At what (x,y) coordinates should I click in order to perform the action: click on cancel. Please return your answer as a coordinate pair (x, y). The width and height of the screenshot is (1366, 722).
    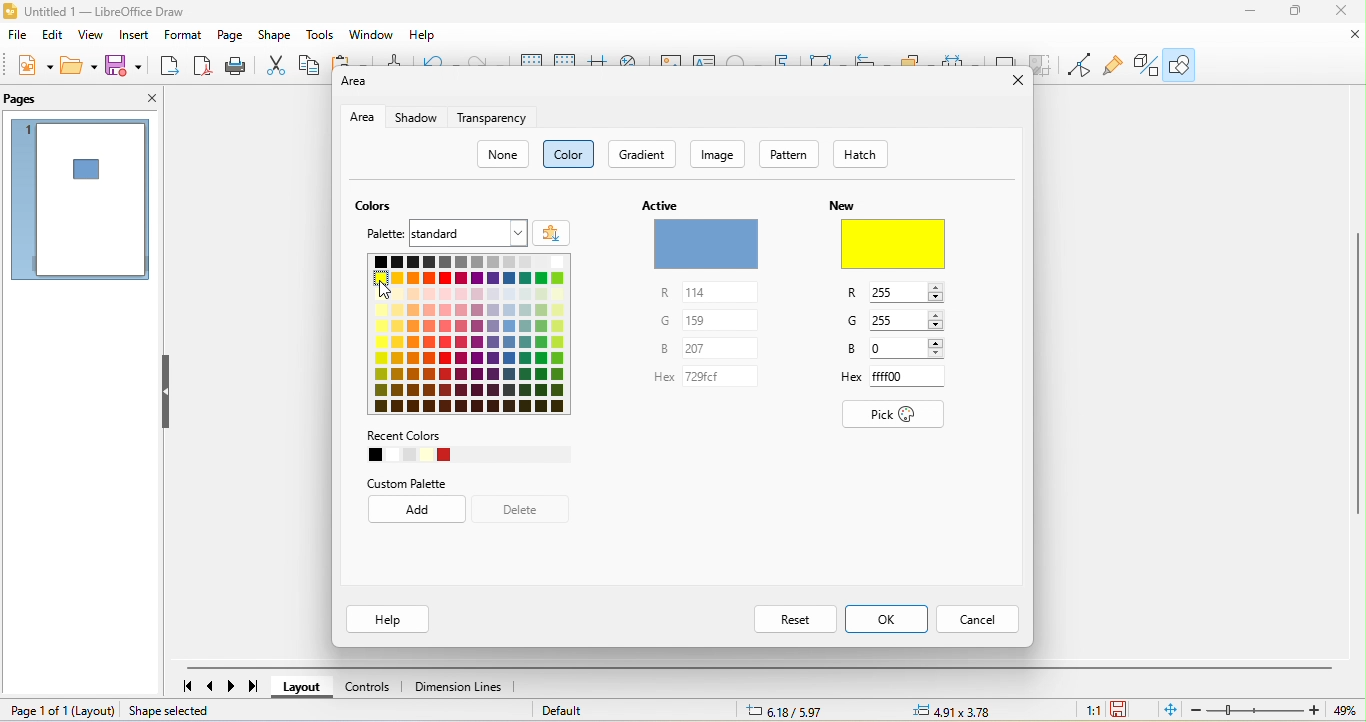
    Looking at the image, I should click on (983, 619).